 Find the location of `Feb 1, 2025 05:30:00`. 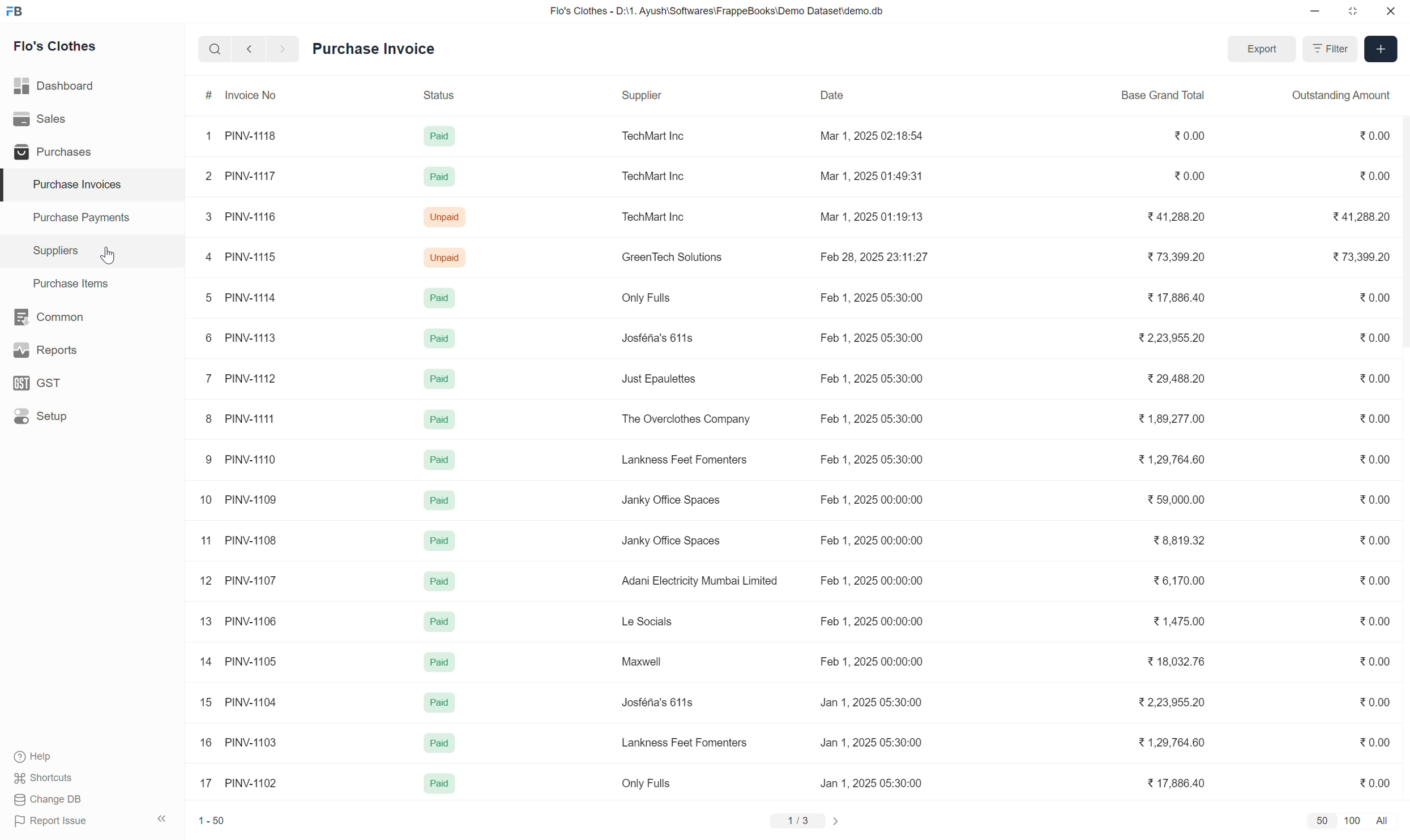

Feb 1, 2025 05:30:00 is located at coordinates (877, 418).